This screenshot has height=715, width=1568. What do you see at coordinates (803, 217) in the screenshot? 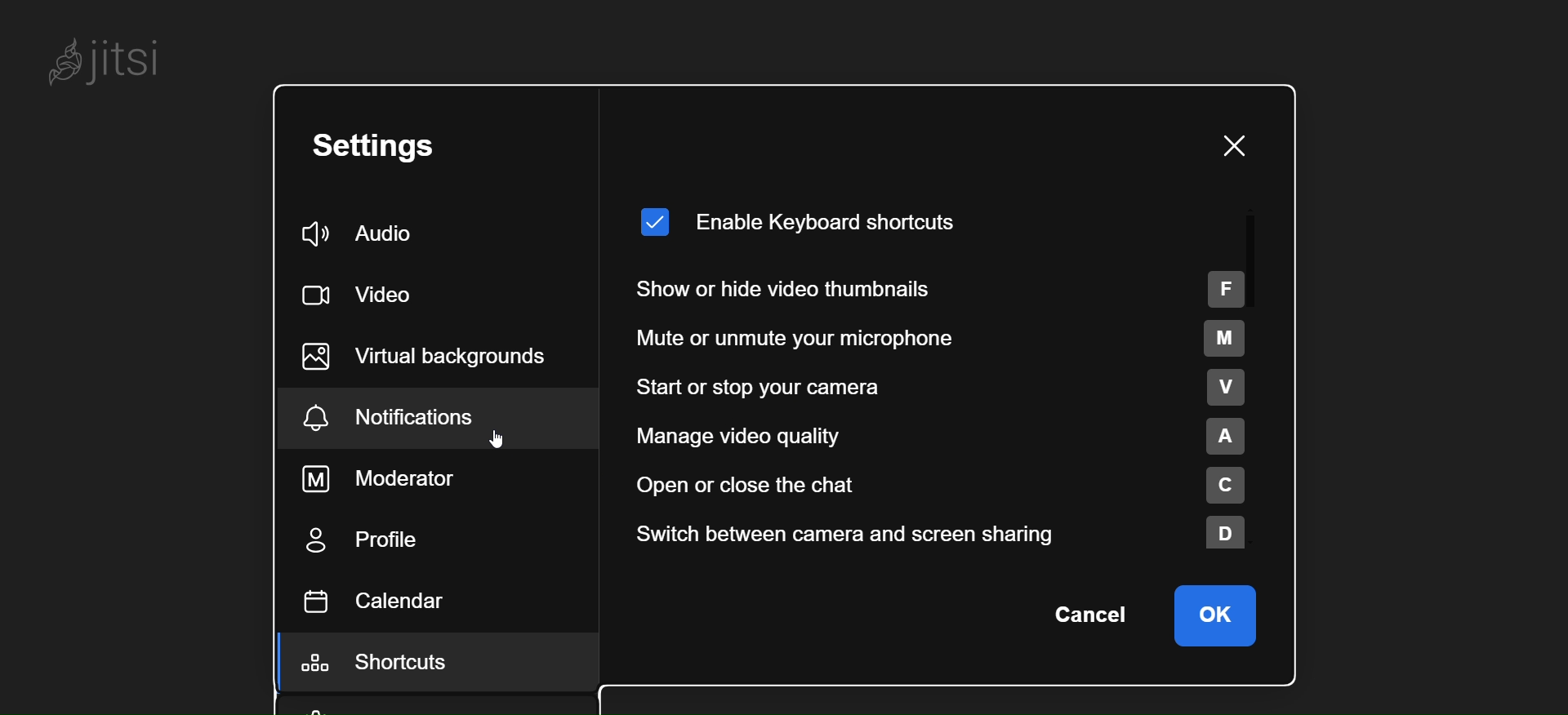
I see `enable keyboard shortcut` at bounding box center [803, 217].